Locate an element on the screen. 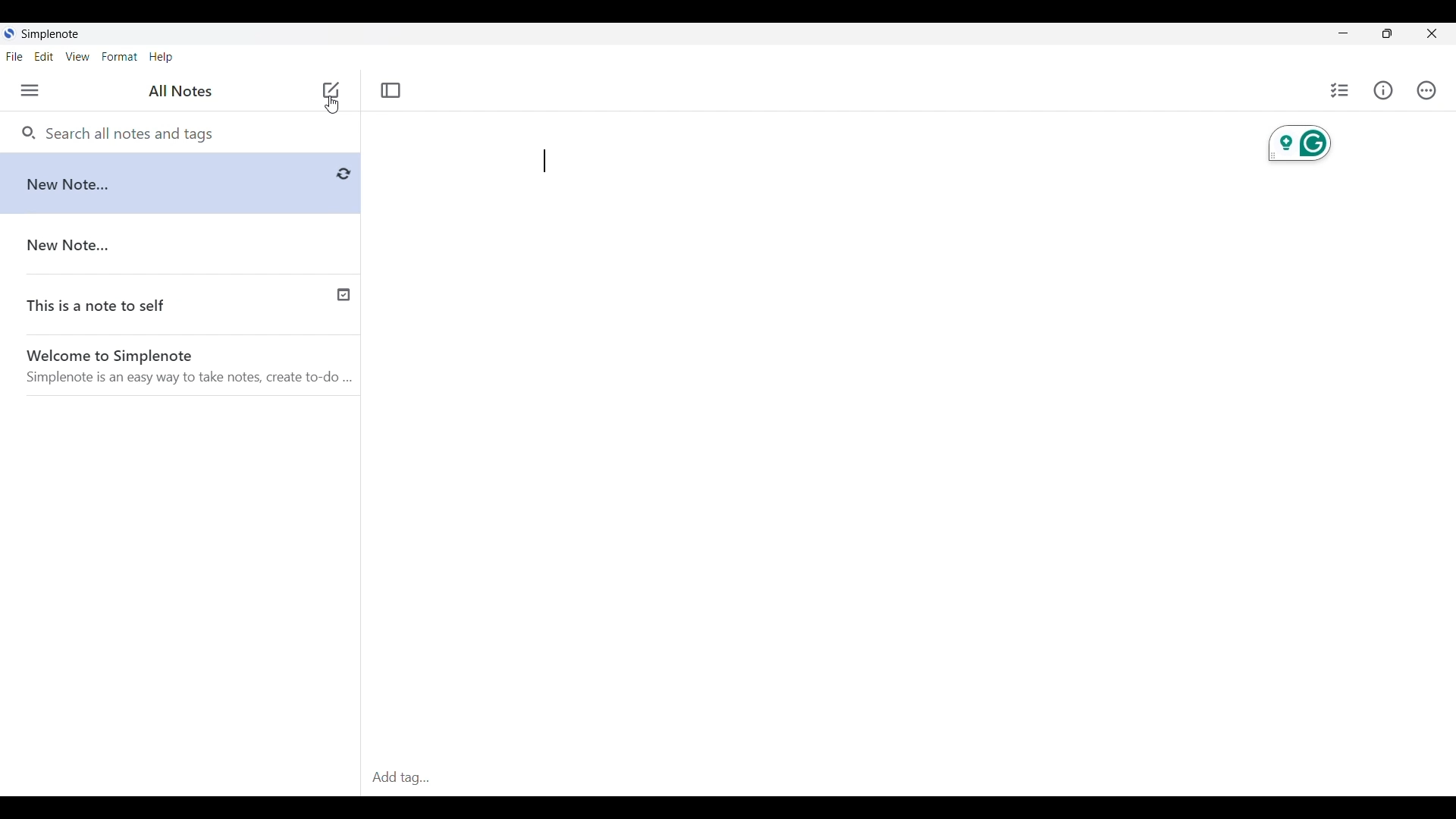 The image size is (1456, 819). Actions is located at coordinates (1426, 90).